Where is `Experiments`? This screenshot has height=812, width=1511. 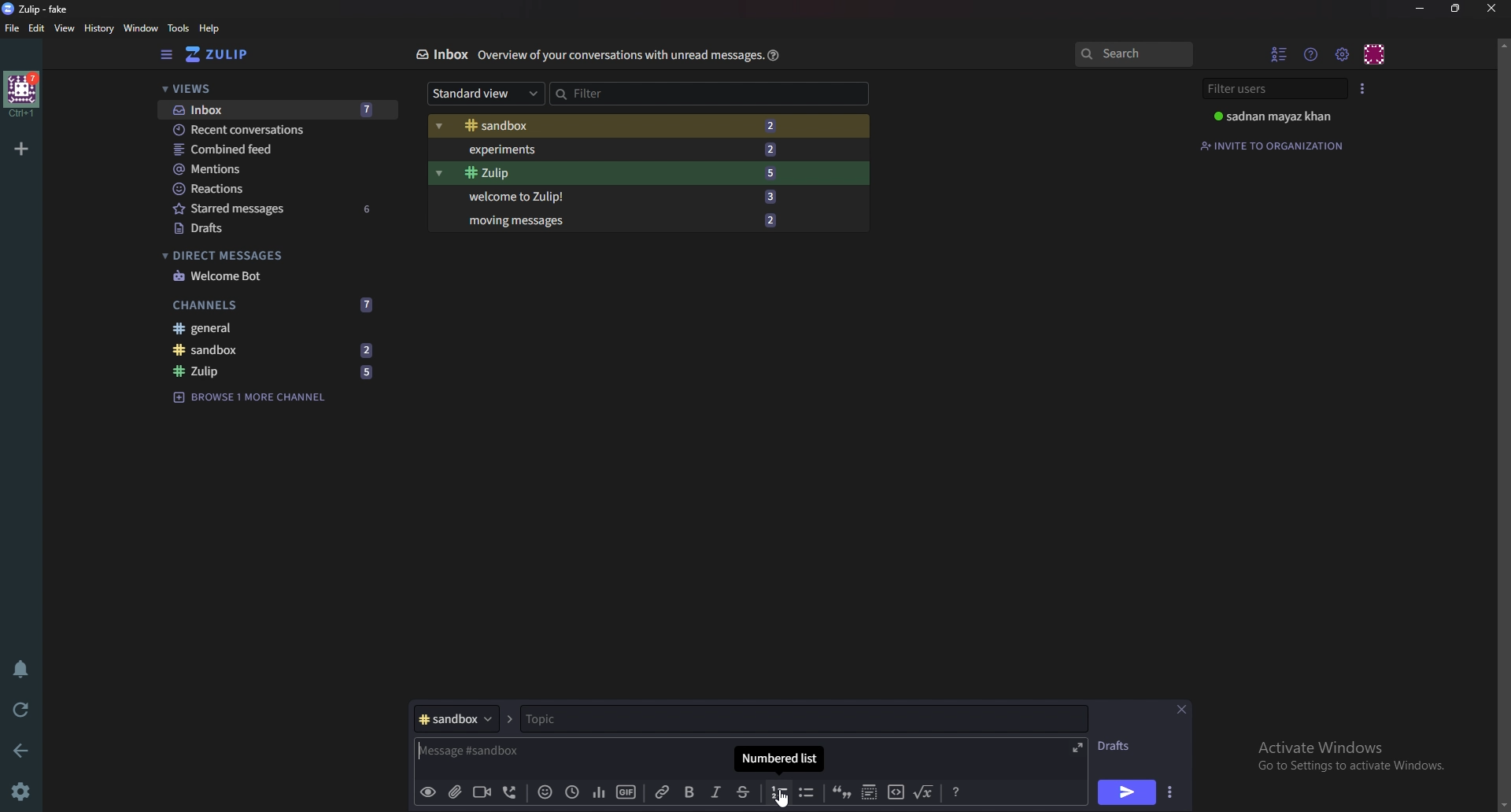
Experiments is located at coordinates (622, 149).